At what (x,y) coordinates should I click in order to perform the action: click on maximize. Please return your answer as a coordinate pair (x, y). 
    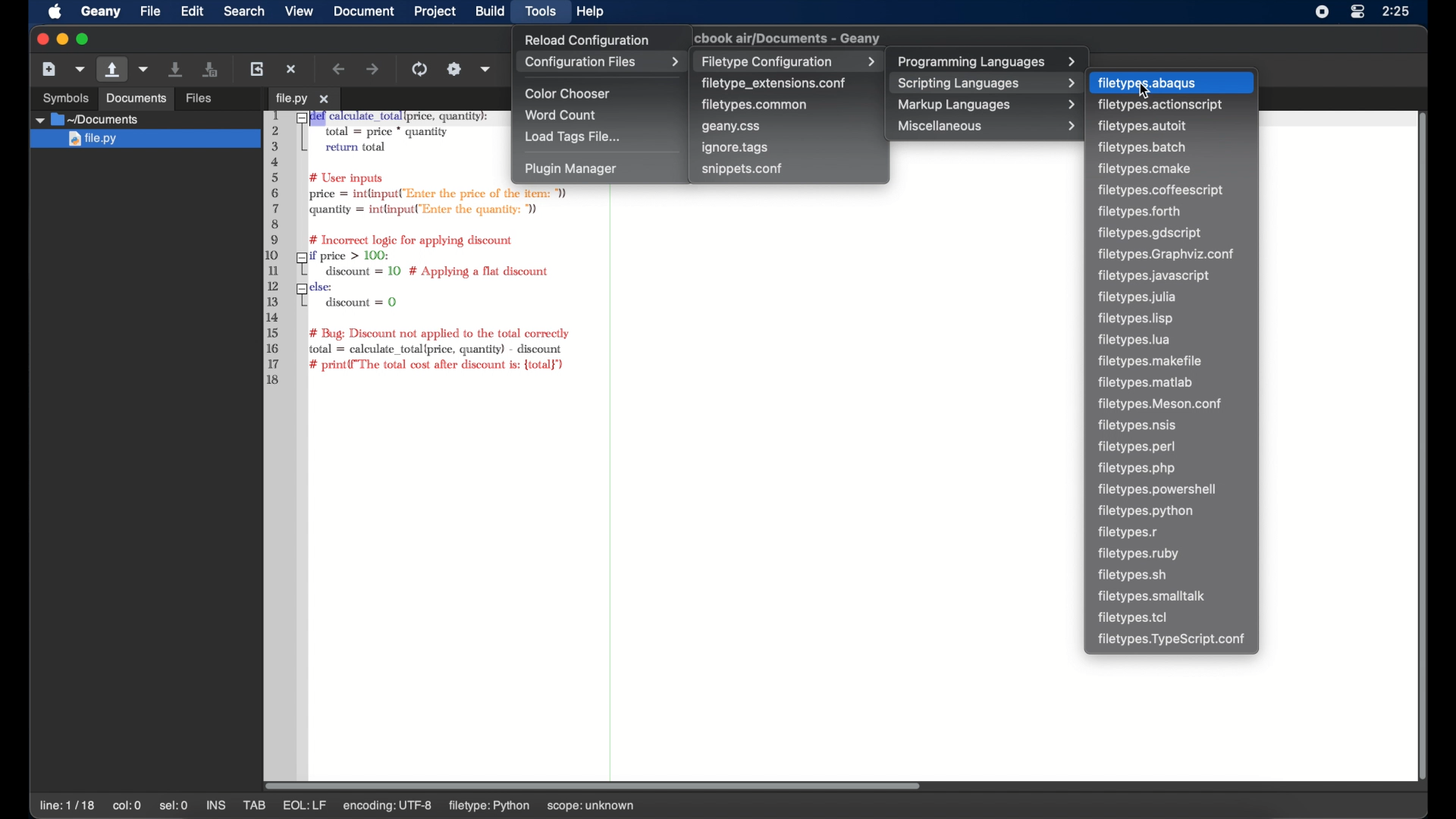
    Looking at the image, I should click on (83, 39).